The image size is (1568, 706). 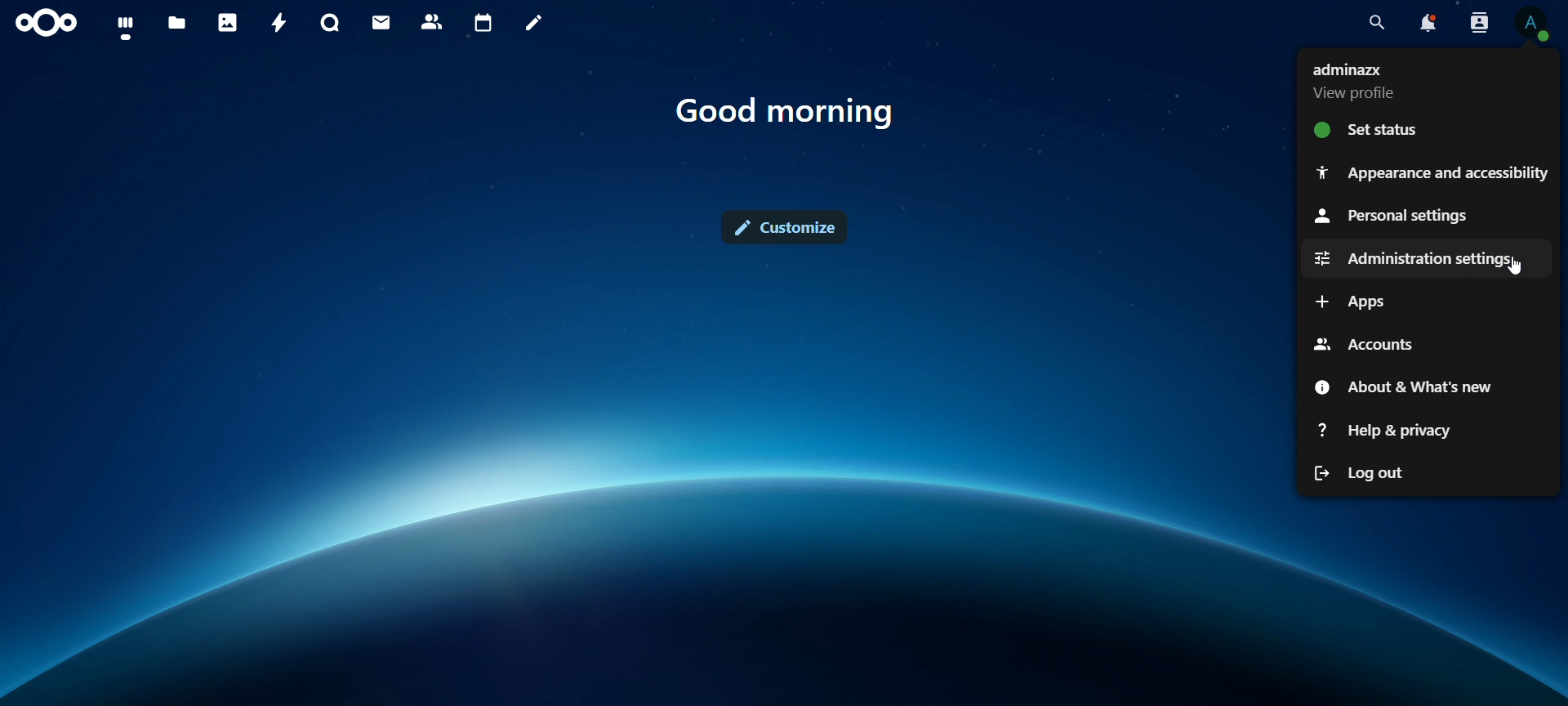 I want to click on administration settings, so click(x=1415, y=257).